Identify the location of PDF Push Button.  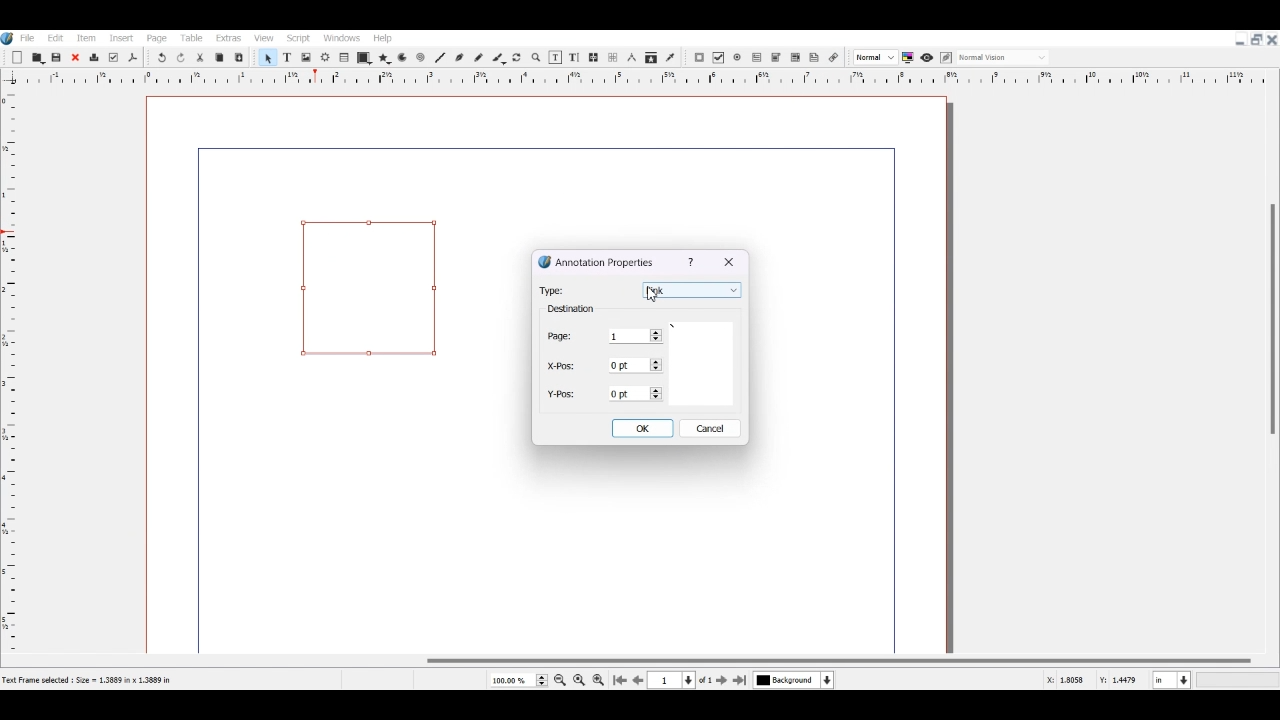
(699, 58).